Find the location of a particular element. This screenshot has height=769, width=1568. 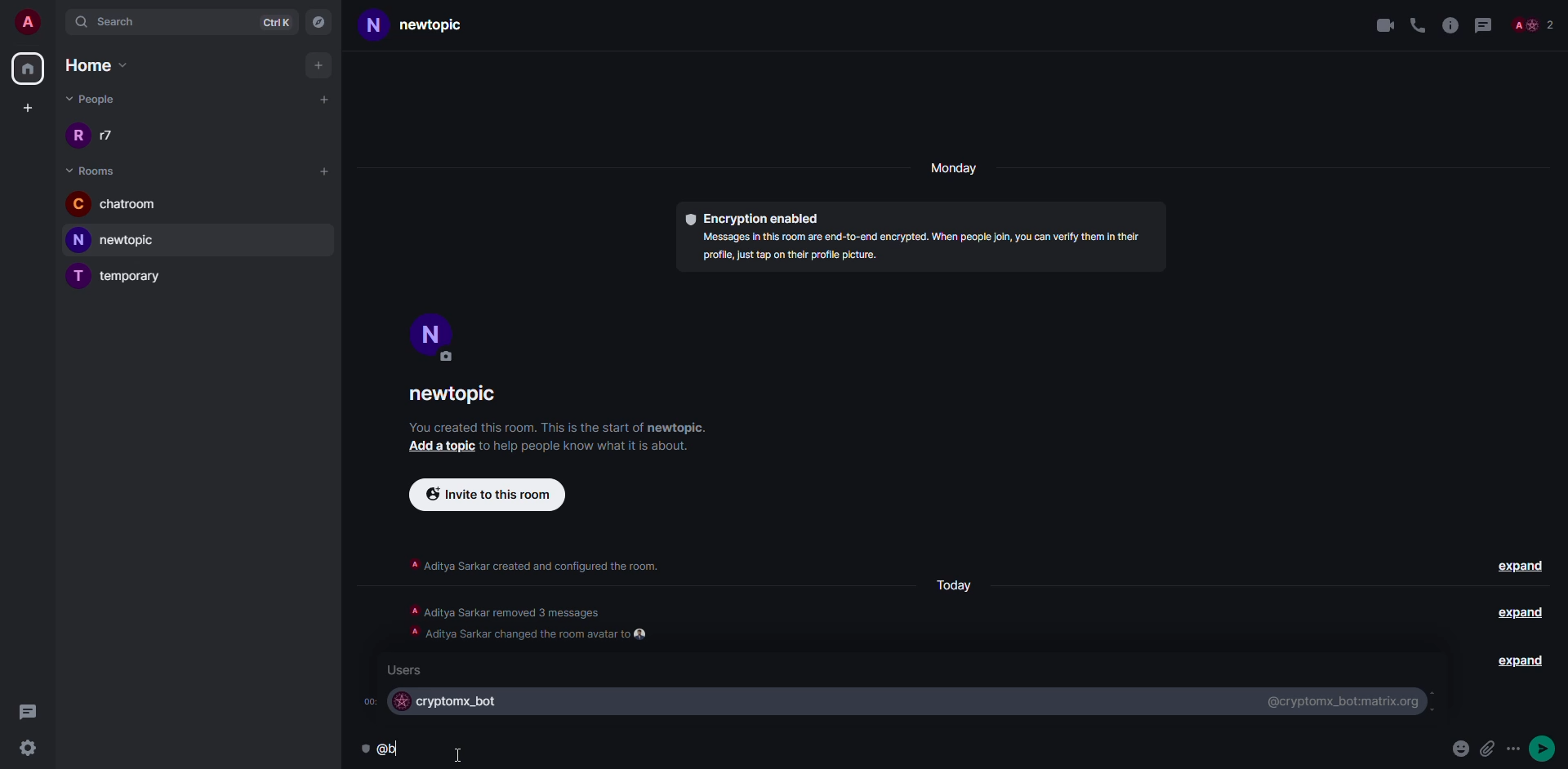

chatroom is located at coordinates (116, 206).